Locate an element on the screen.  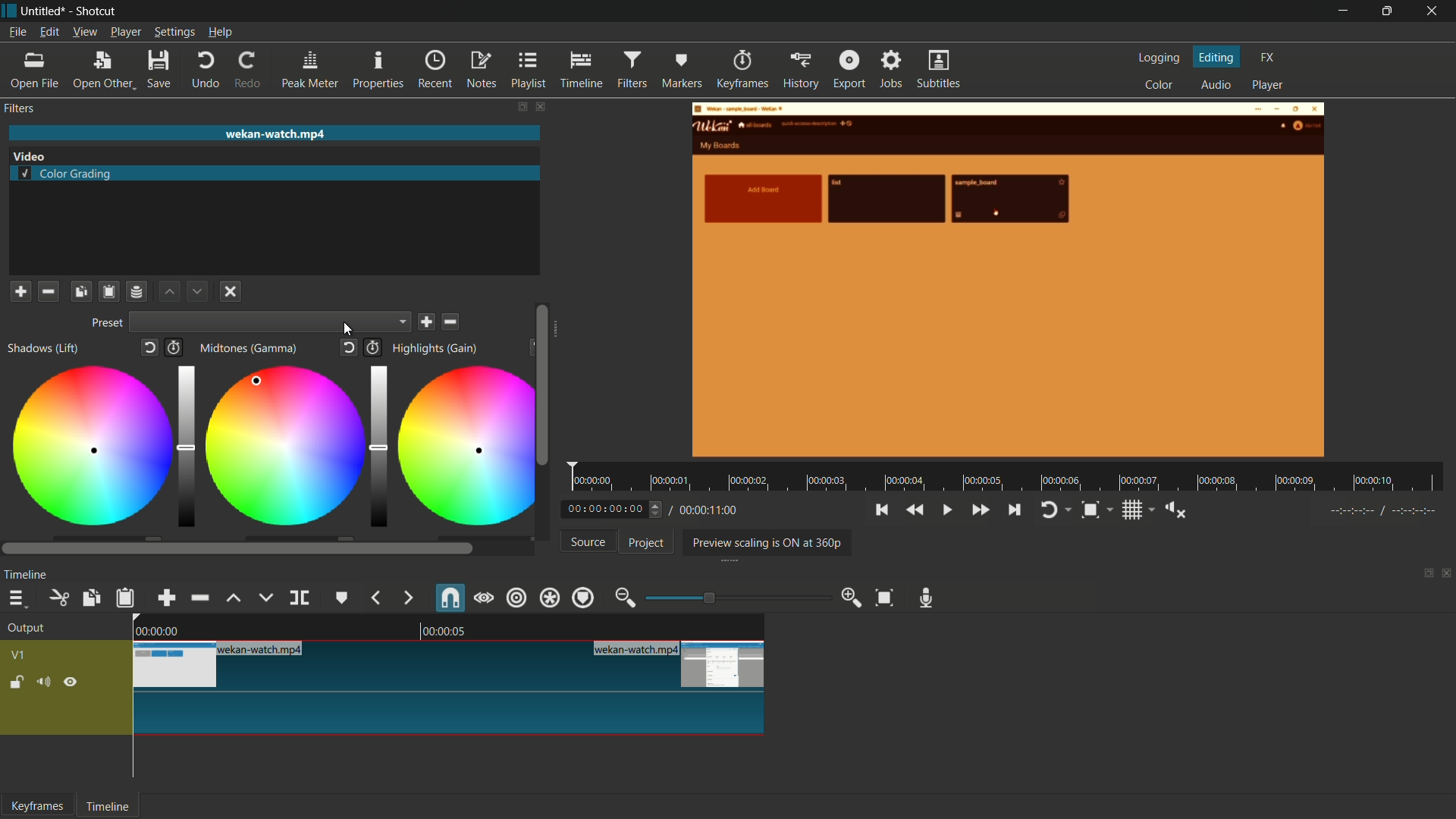
jobs is located at coordinates (893, 70).